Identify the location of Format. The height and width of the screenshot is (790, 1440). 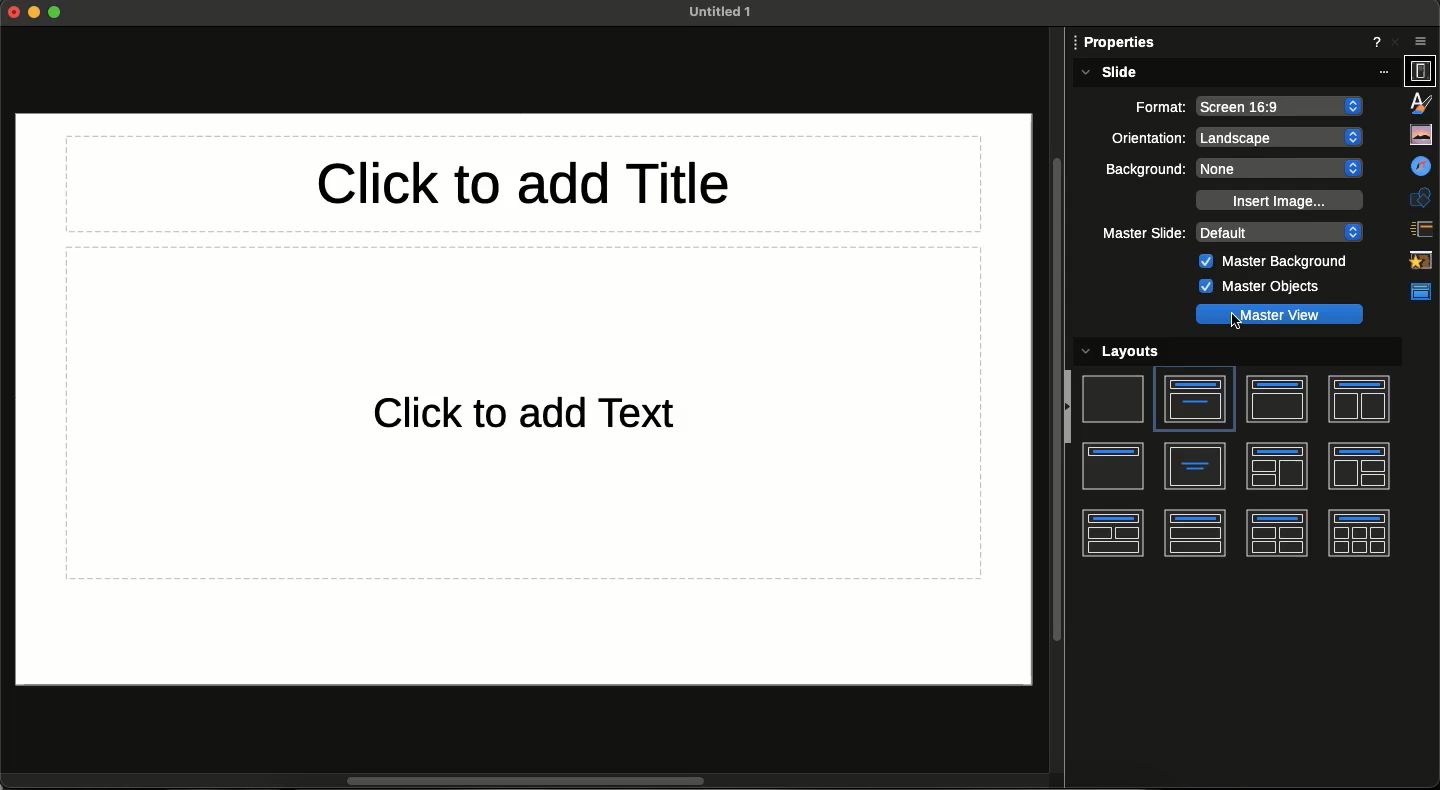
(1149, 105).